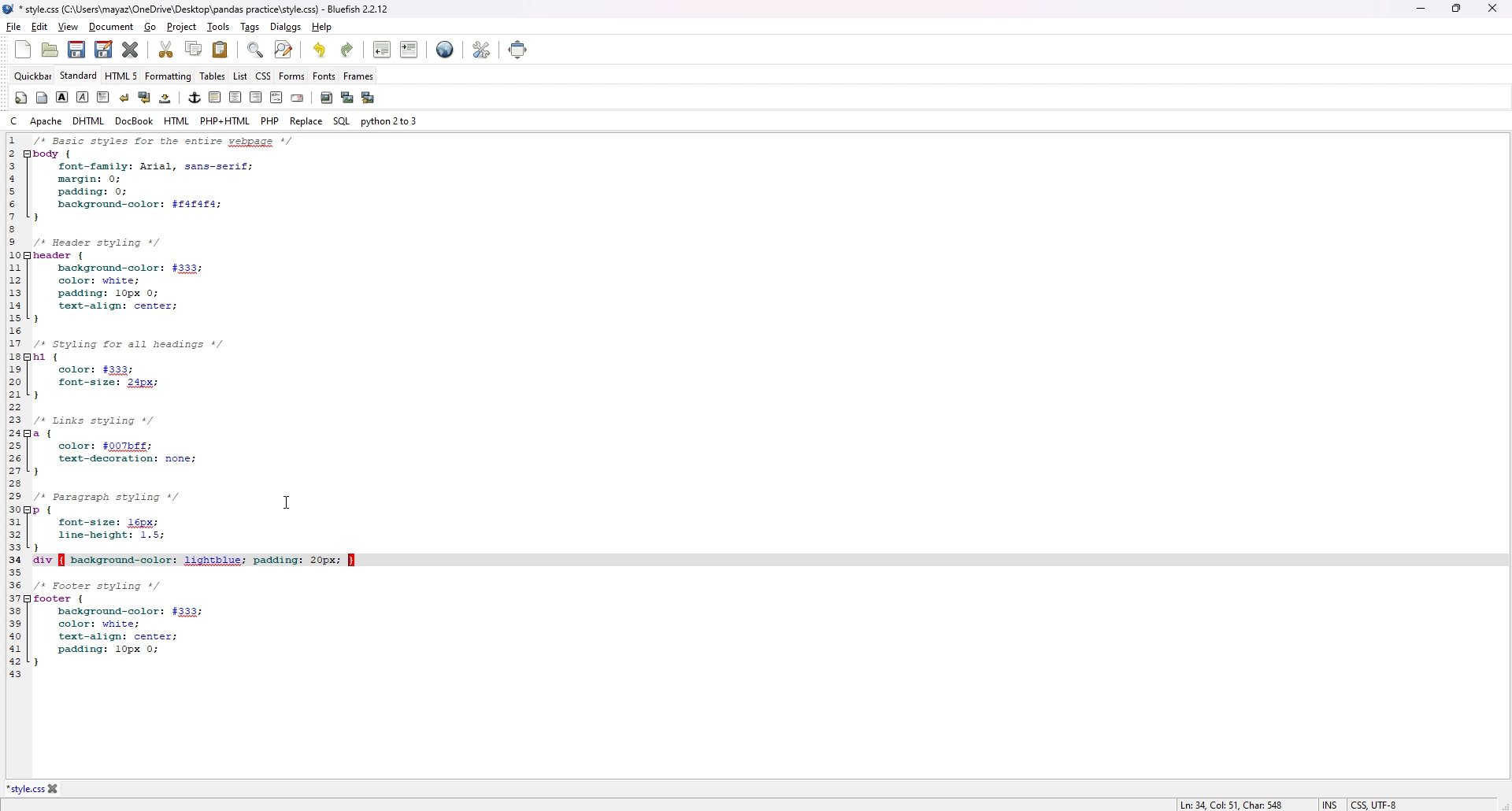 Image resolution: width=1512 pixels, height=811 pixels. What do you see at coordinates (240, 76) in the screenshot?
I see `list` at bounding box center [240, 76].